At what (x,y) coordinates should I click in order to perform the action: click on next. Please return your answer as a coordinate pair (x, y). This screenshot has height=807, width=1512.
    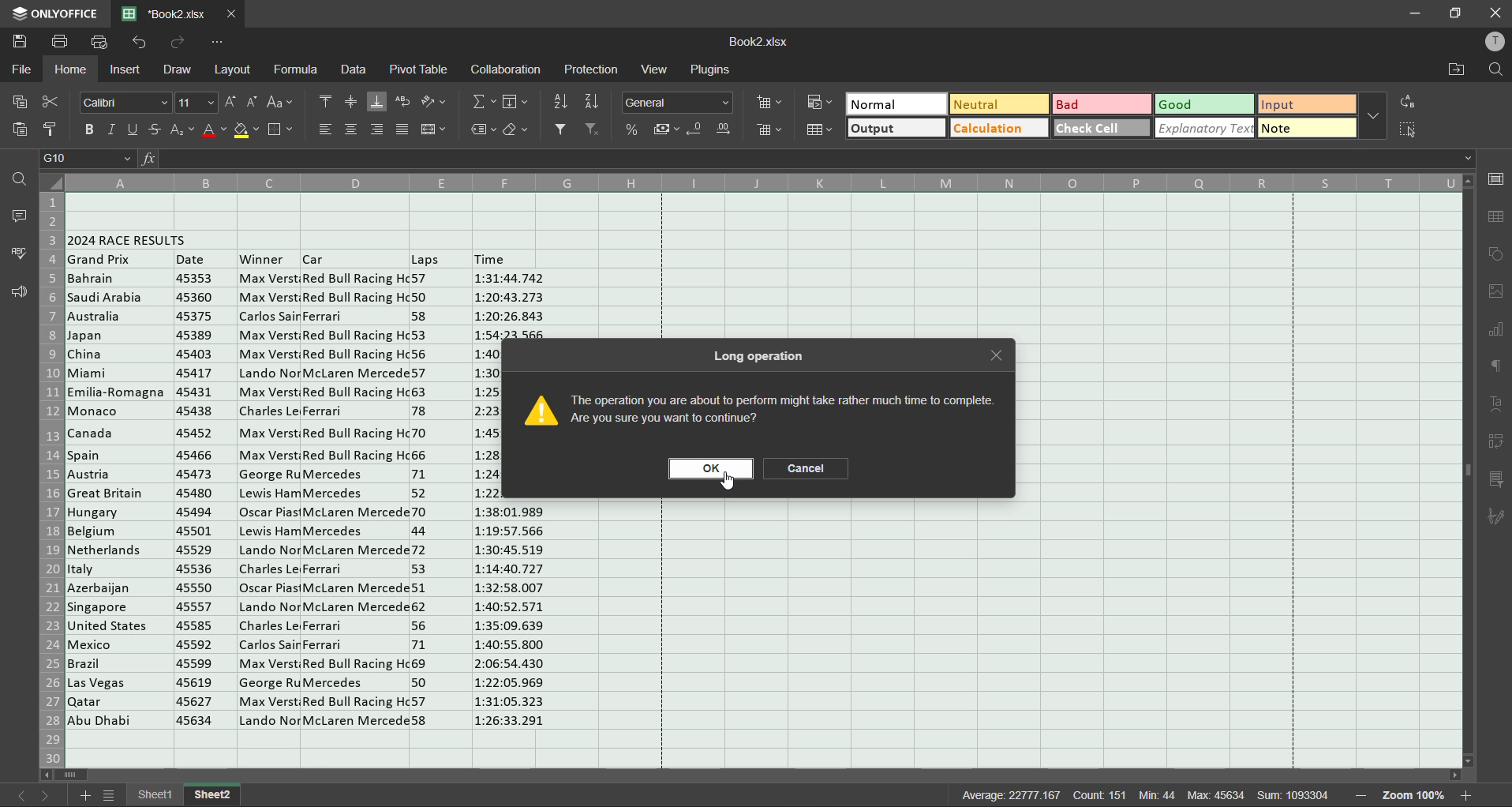
    Looking at the image, I should click on (47, 795).